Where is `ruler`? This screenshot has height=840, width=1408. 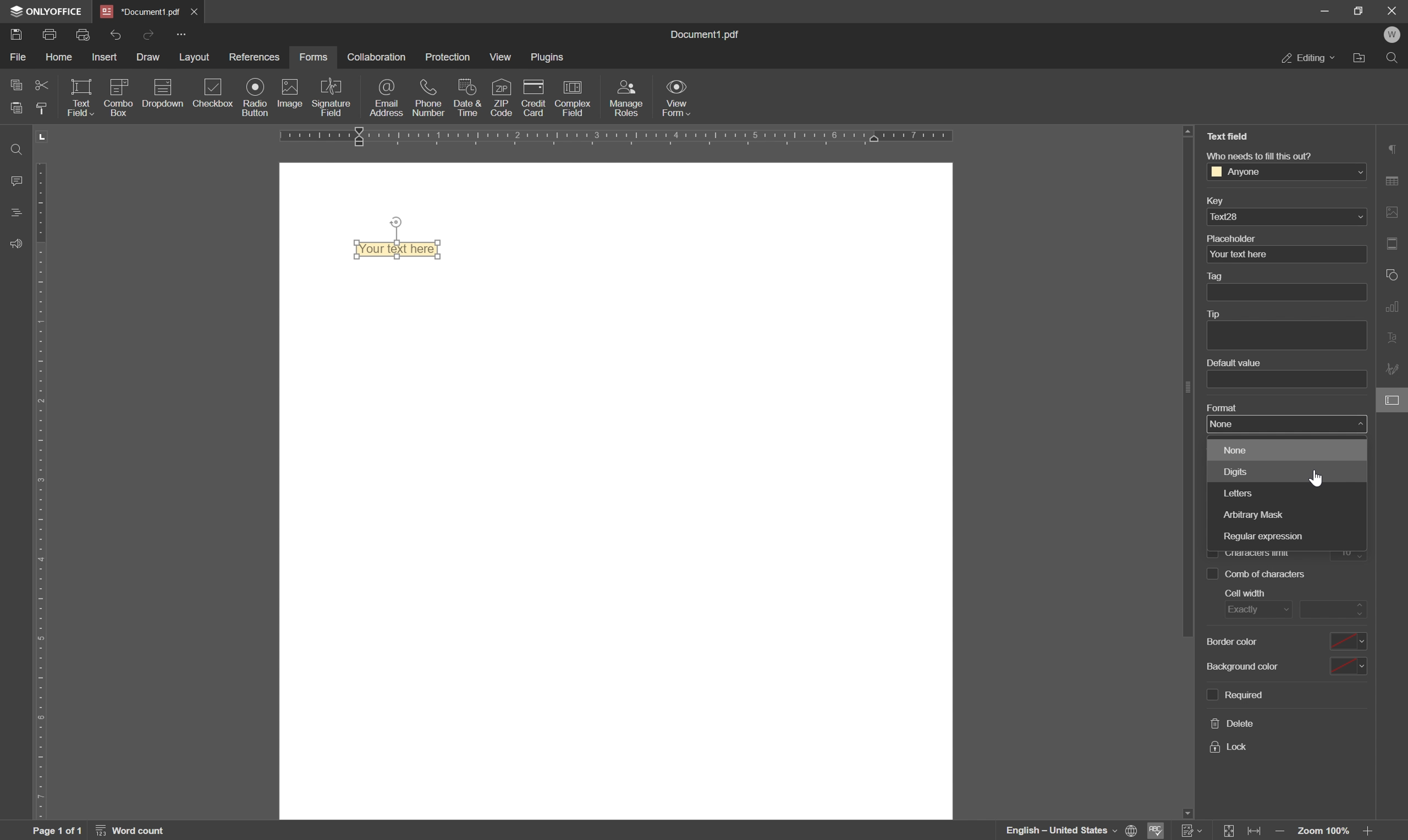
ruler is located at coordinates (628, 141).